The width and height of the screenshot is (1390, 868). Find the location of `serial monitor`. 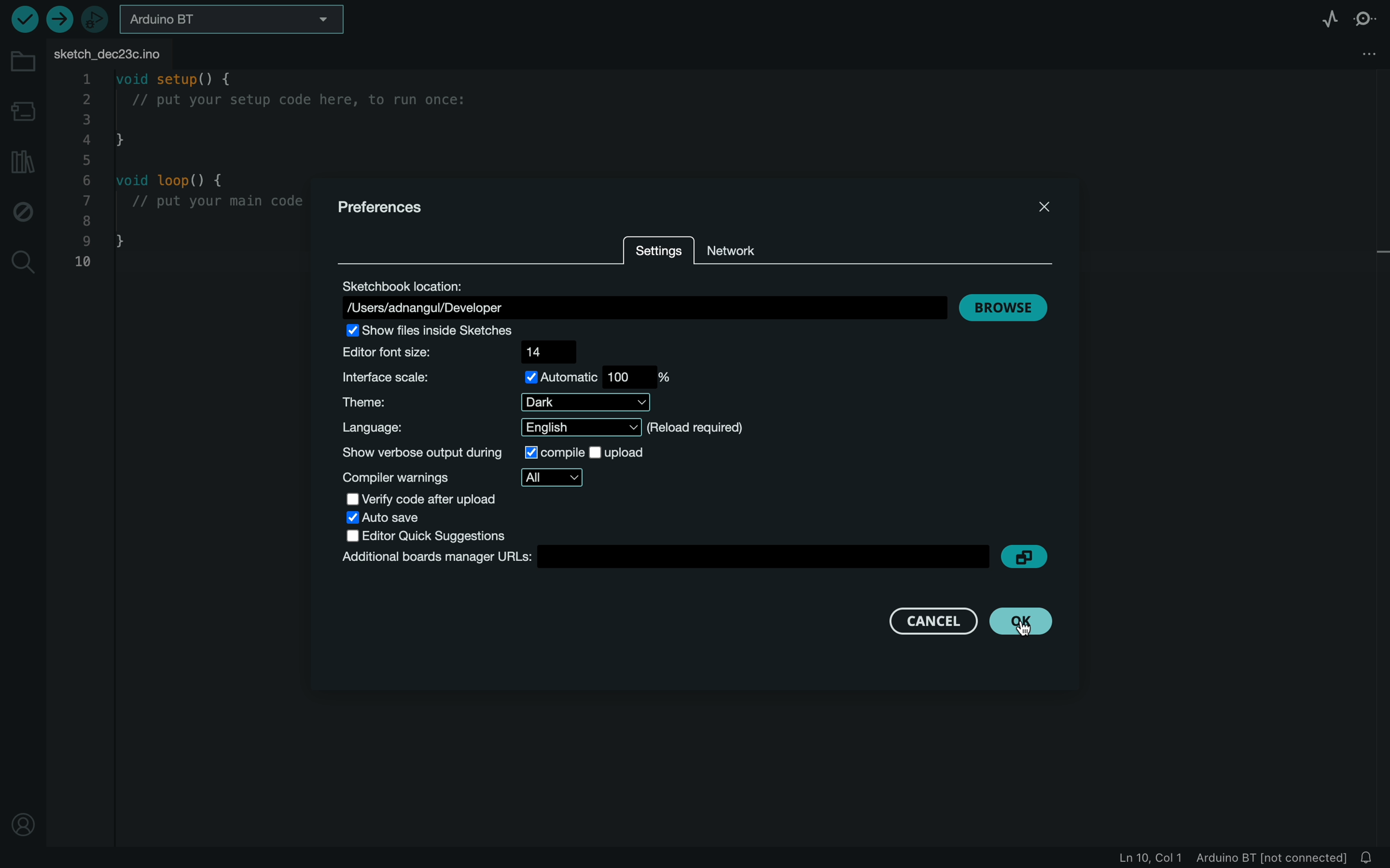

serial monitor is located at coordinates (1364, 21).